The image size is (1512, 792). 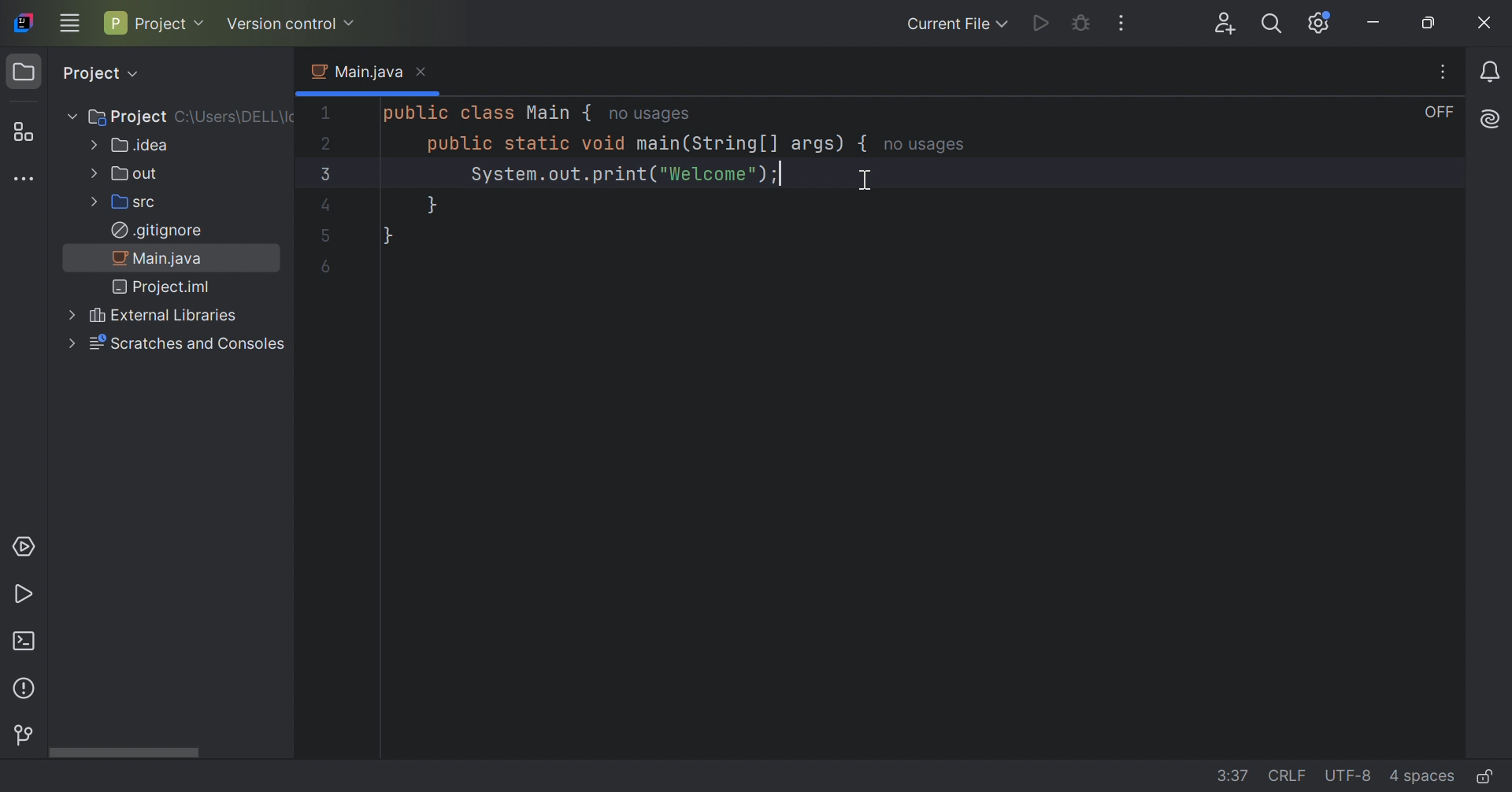 I want to click on P, so click(x=113, y=23).